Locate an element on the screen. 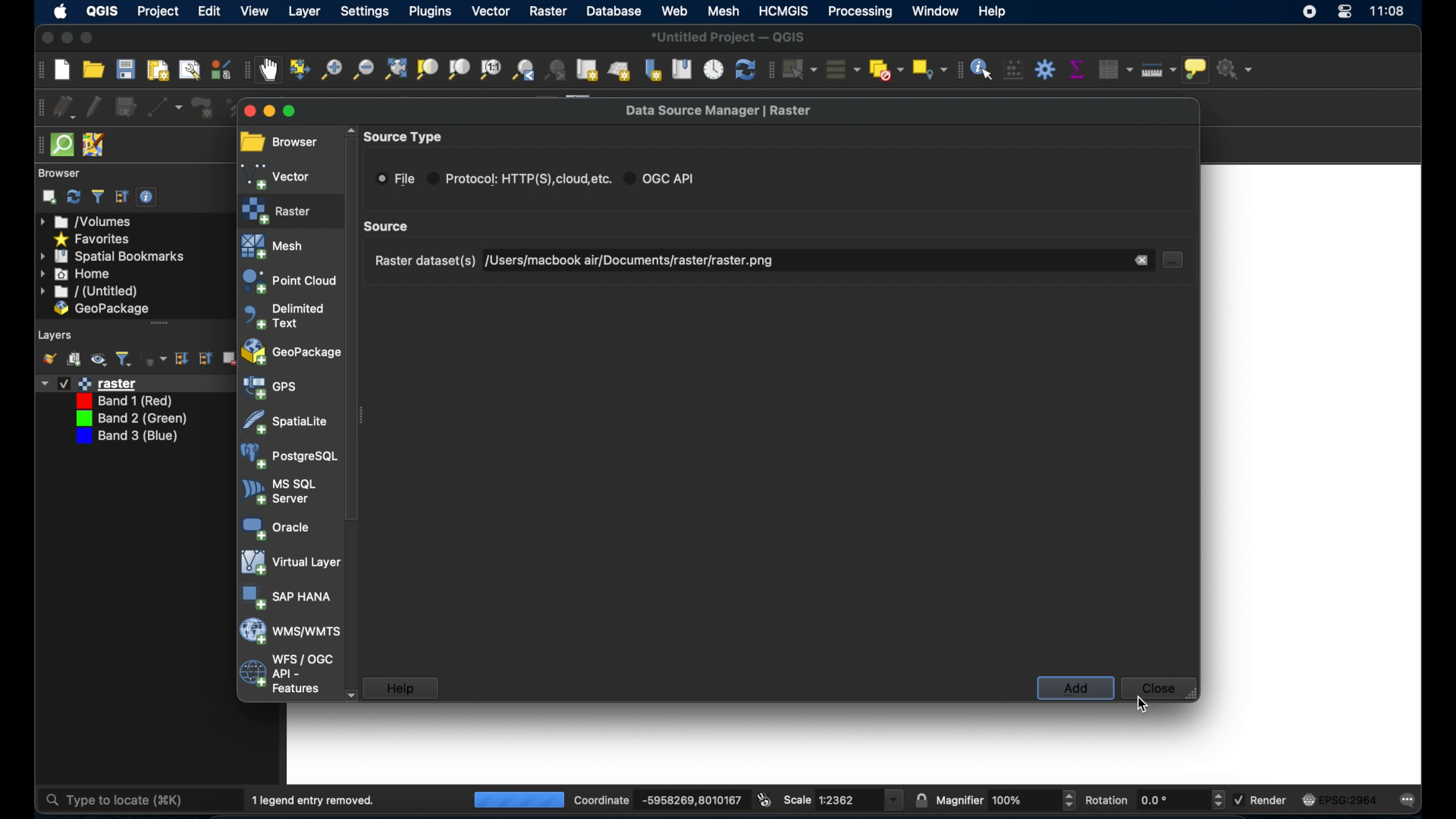  digitizing toolbar is located at coordinates (36, 108).